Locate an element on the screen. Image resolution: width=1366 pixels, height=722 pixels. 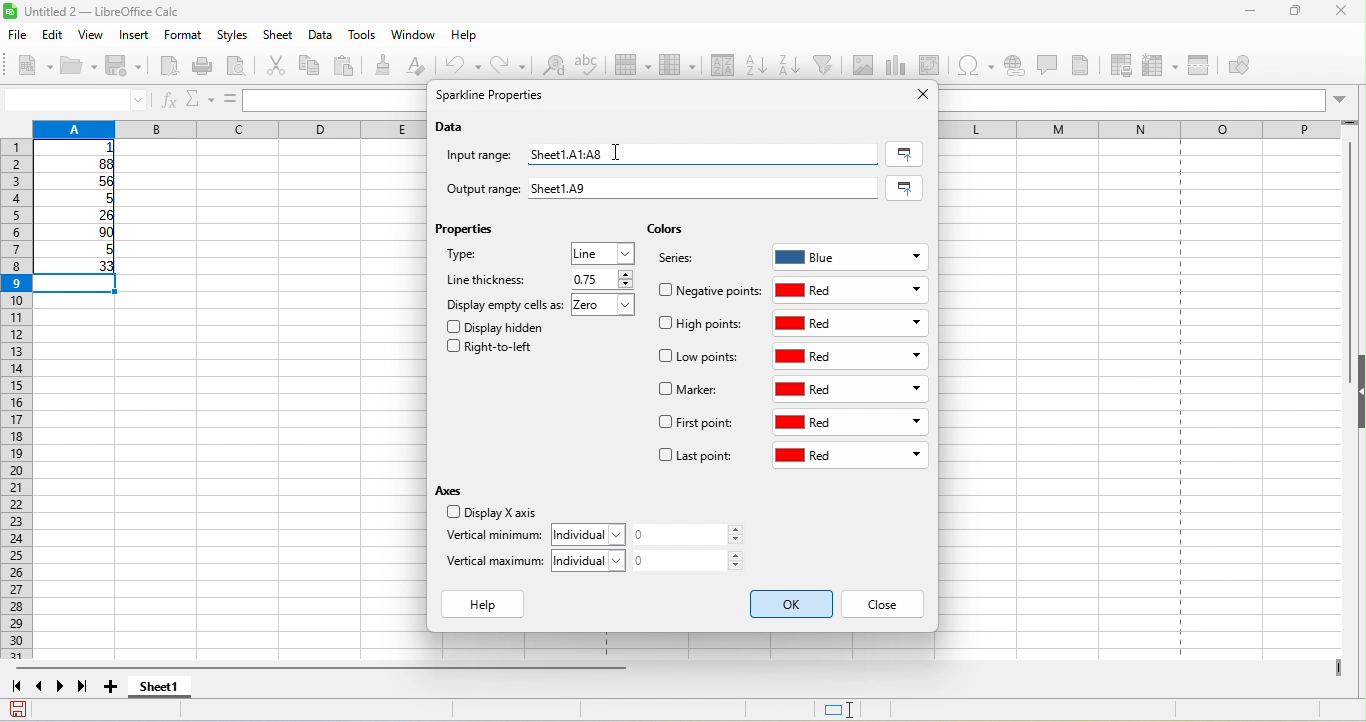
column is located at coordinates (677, 64).